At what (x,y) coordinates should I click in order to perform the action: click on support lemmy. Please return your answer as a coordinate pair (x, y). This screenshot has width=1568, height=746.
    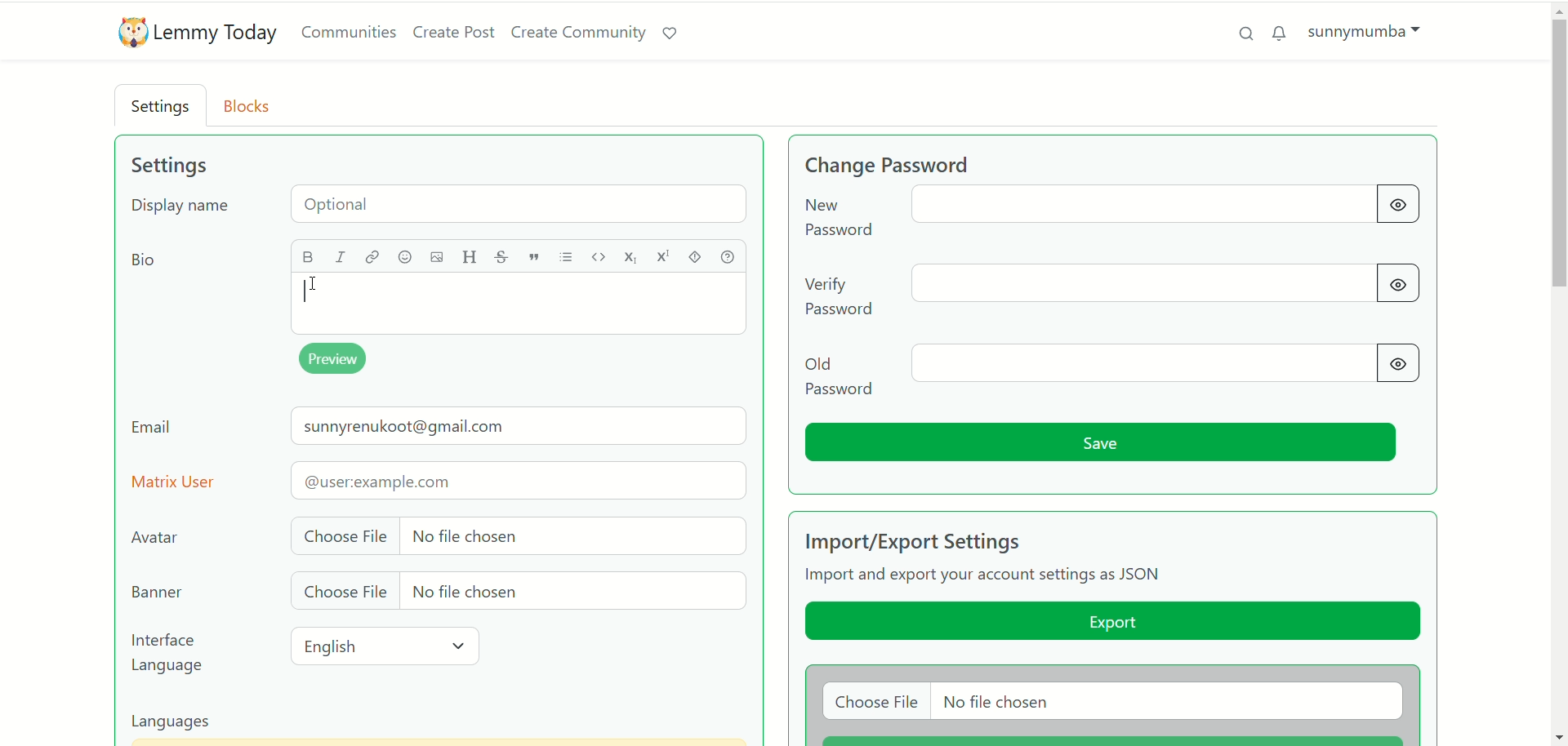
    Looking at the image, I should click on (675, 34).